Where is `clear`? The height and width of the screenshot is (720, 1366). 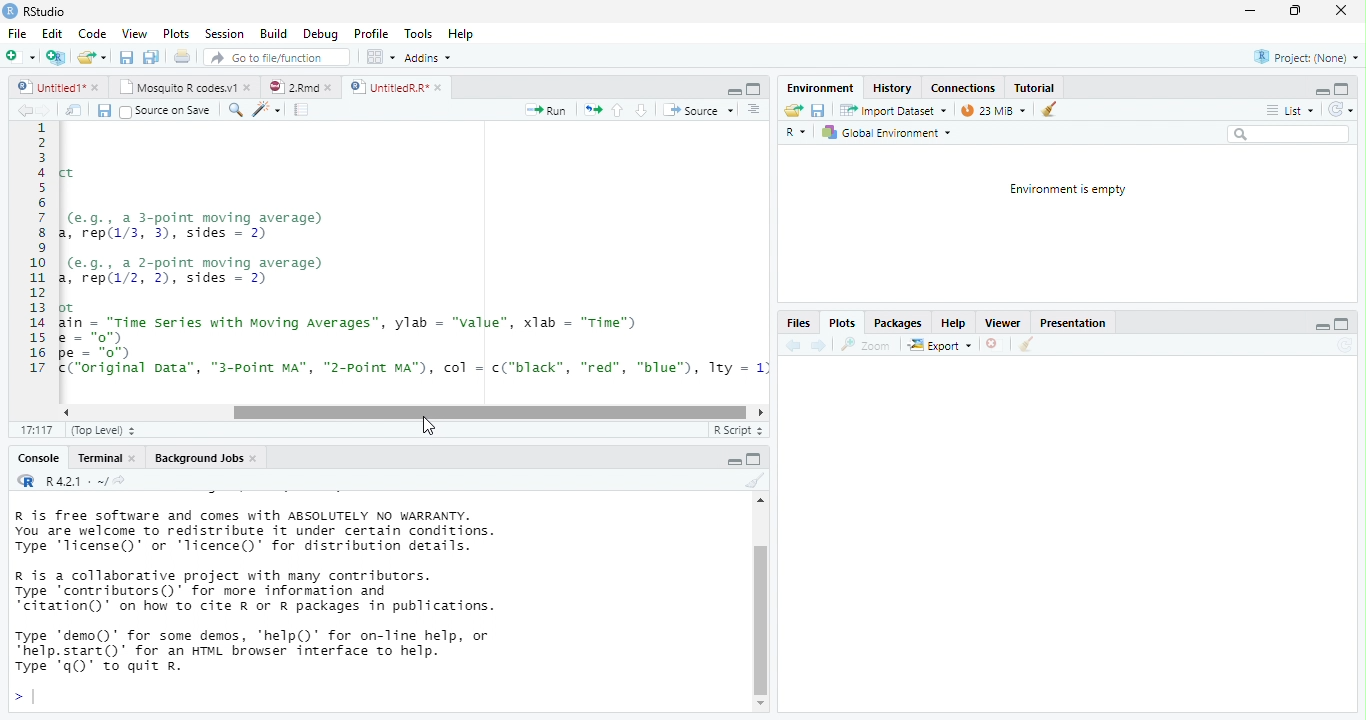 clear is located at coordinates (1025, 346).